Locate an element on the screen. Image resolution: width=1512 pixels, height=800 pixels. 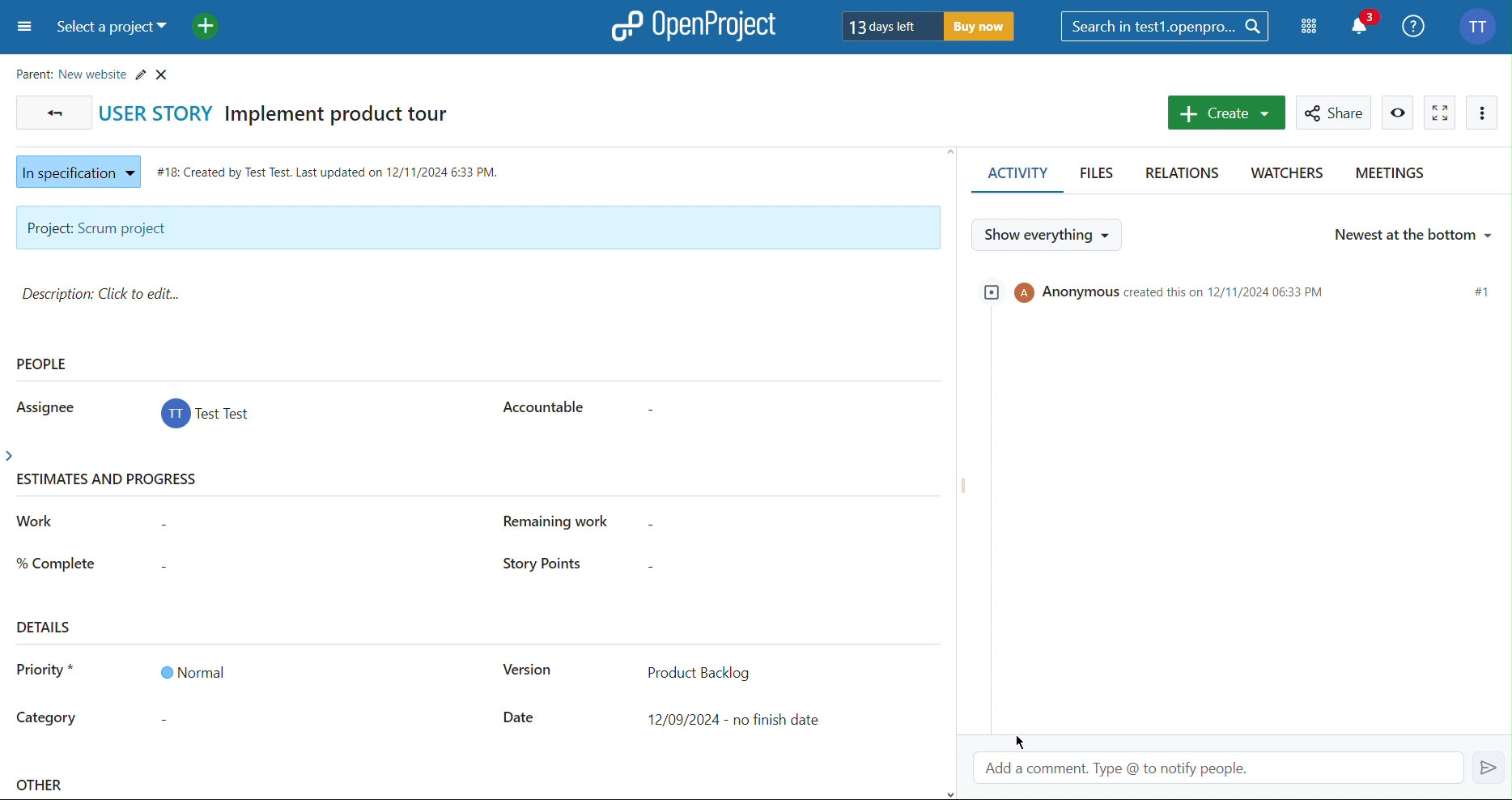
#1 is located at coordinates (1482, 291).